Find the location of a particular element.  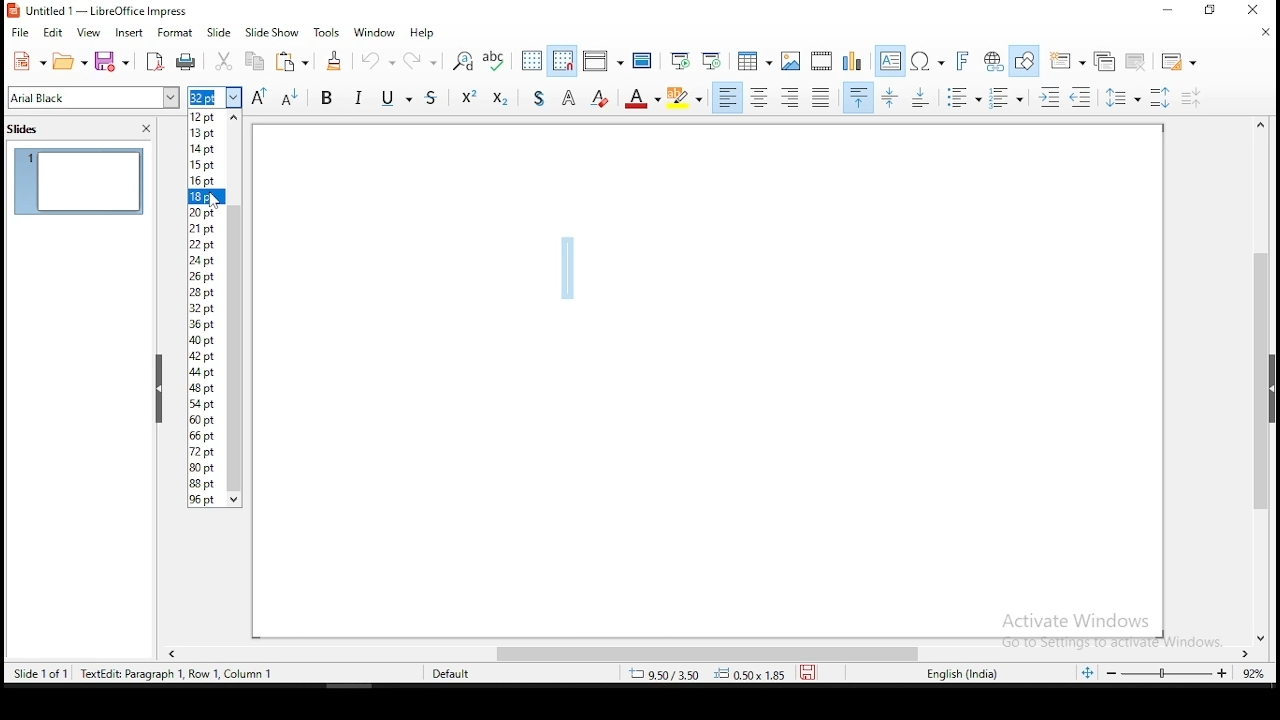

slide show is located at coordinates (220, 32).